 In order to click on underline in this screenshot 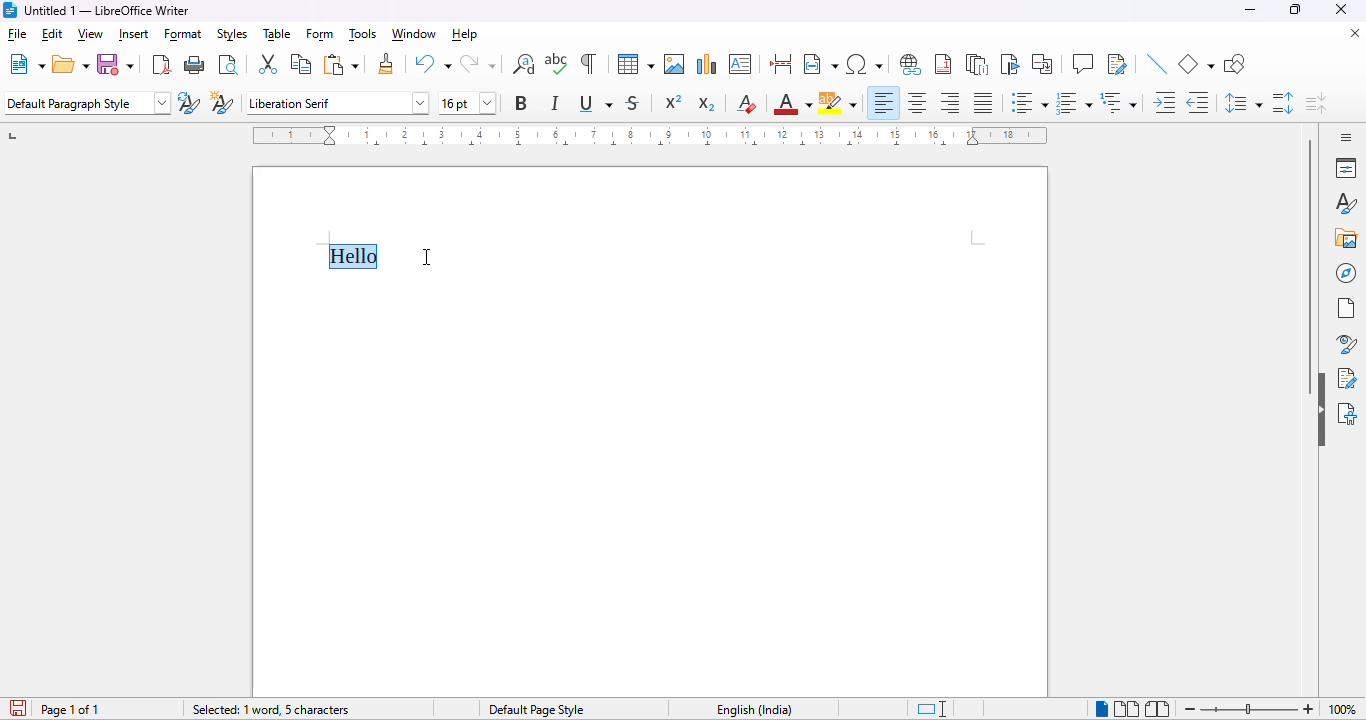, I will do `click(597, 104)`.